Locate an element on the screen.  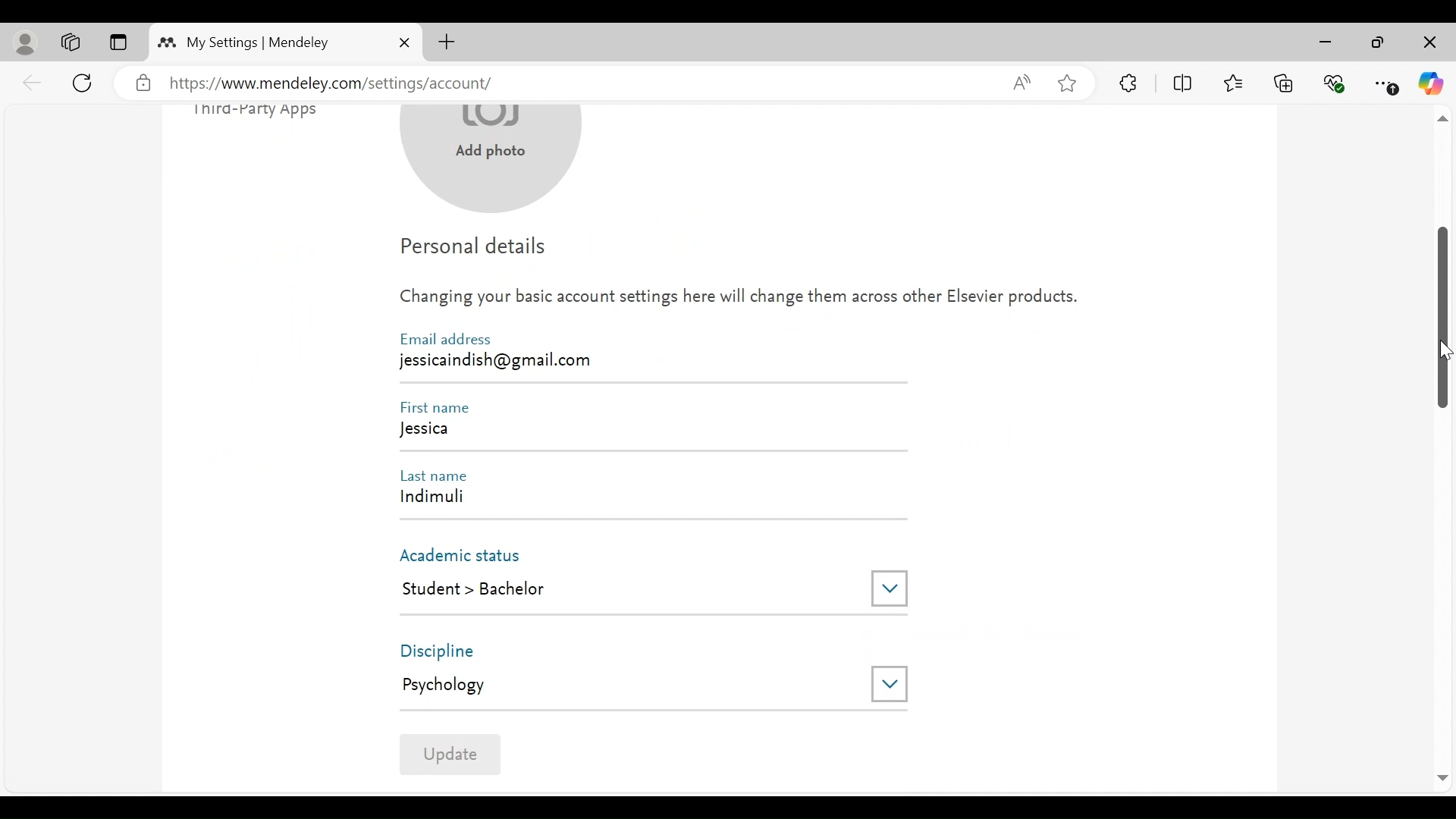
Academic Status is located at coordinates (468, 556).